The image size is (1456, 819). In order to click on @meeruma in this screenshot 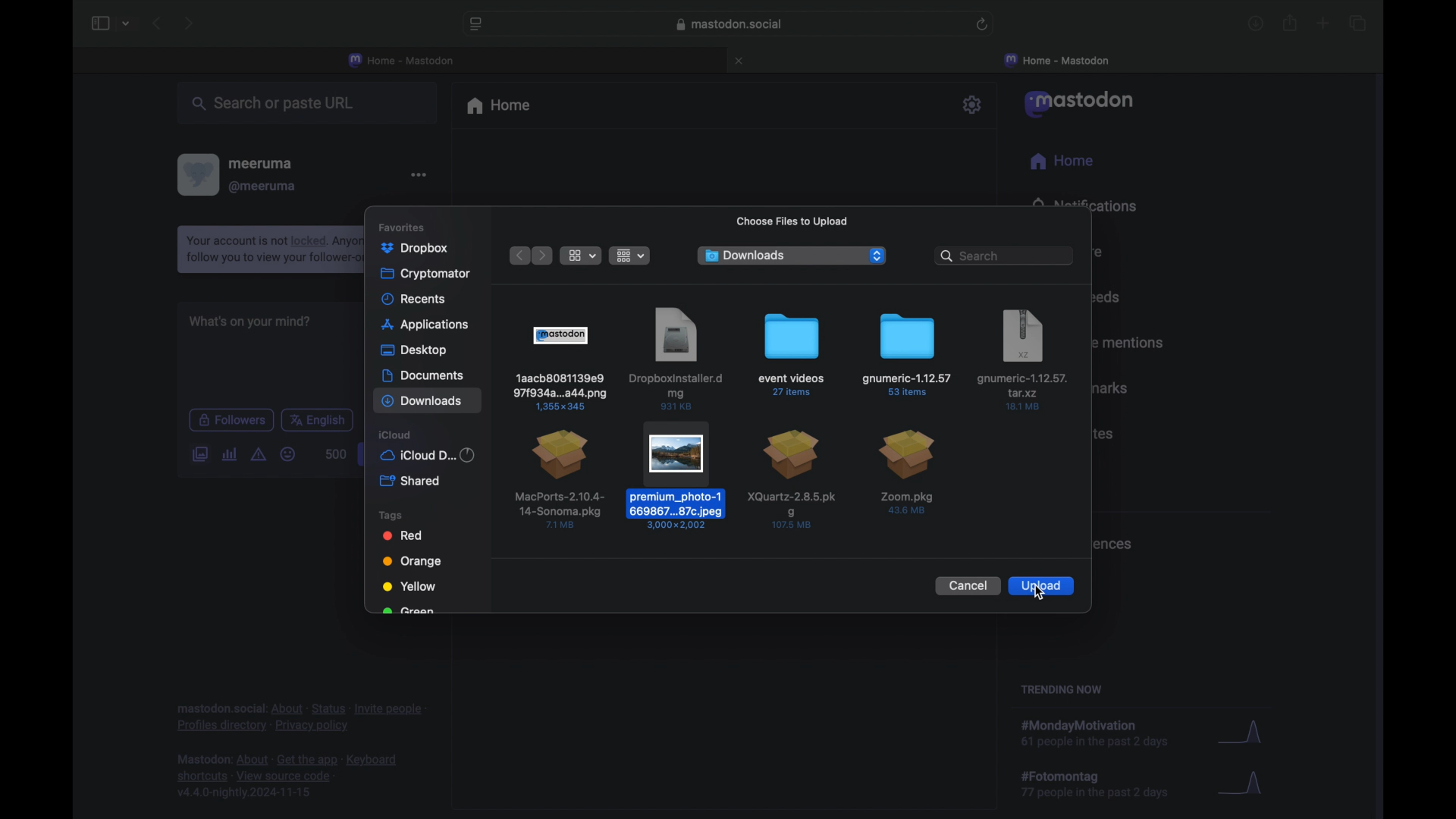, I will do `click(264, 187)`.